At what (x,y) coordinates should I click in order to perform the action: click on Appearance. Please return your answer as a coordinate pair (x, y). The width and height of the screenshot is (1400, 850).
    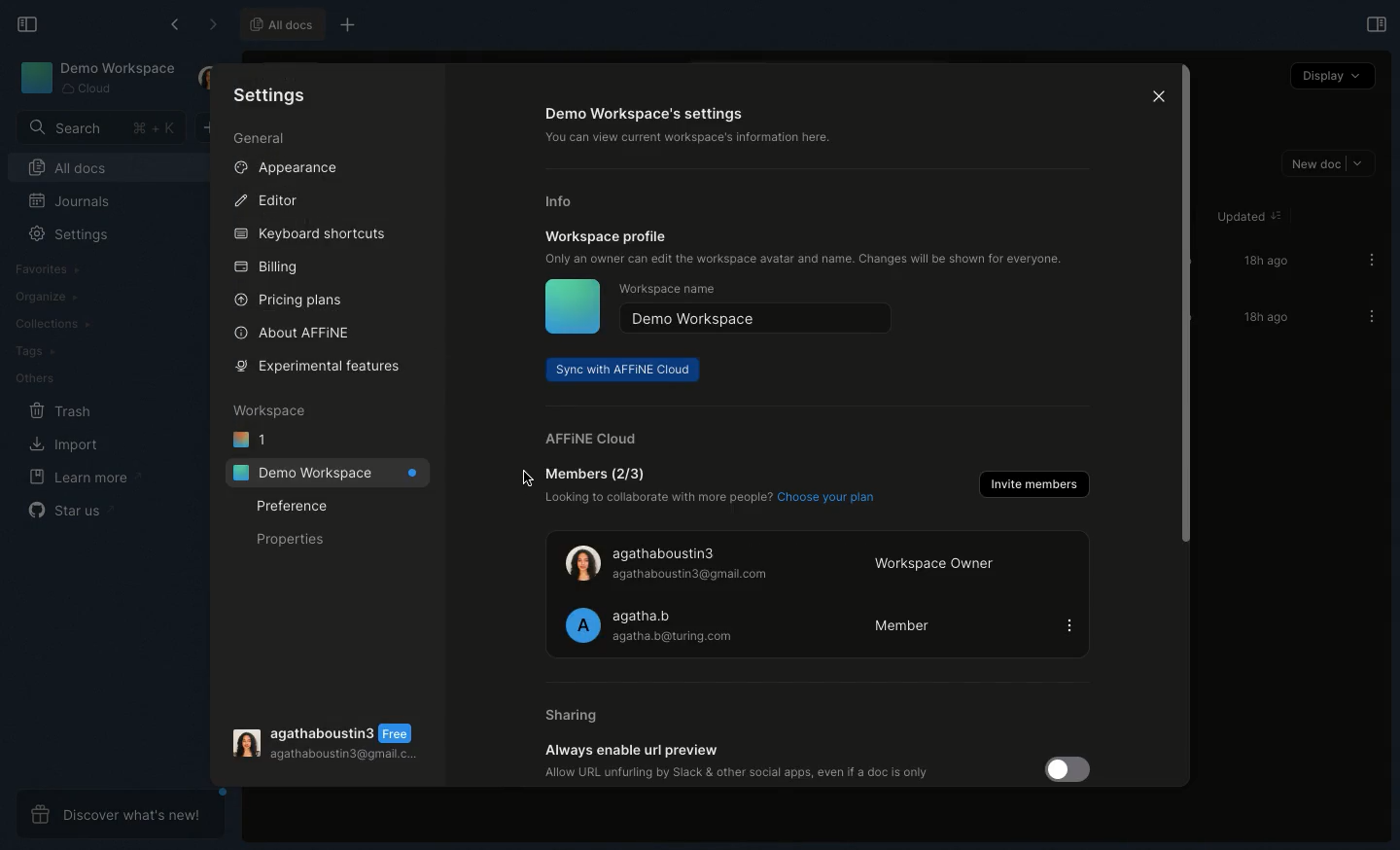
    Looking at the image, I should click on (285, 167).